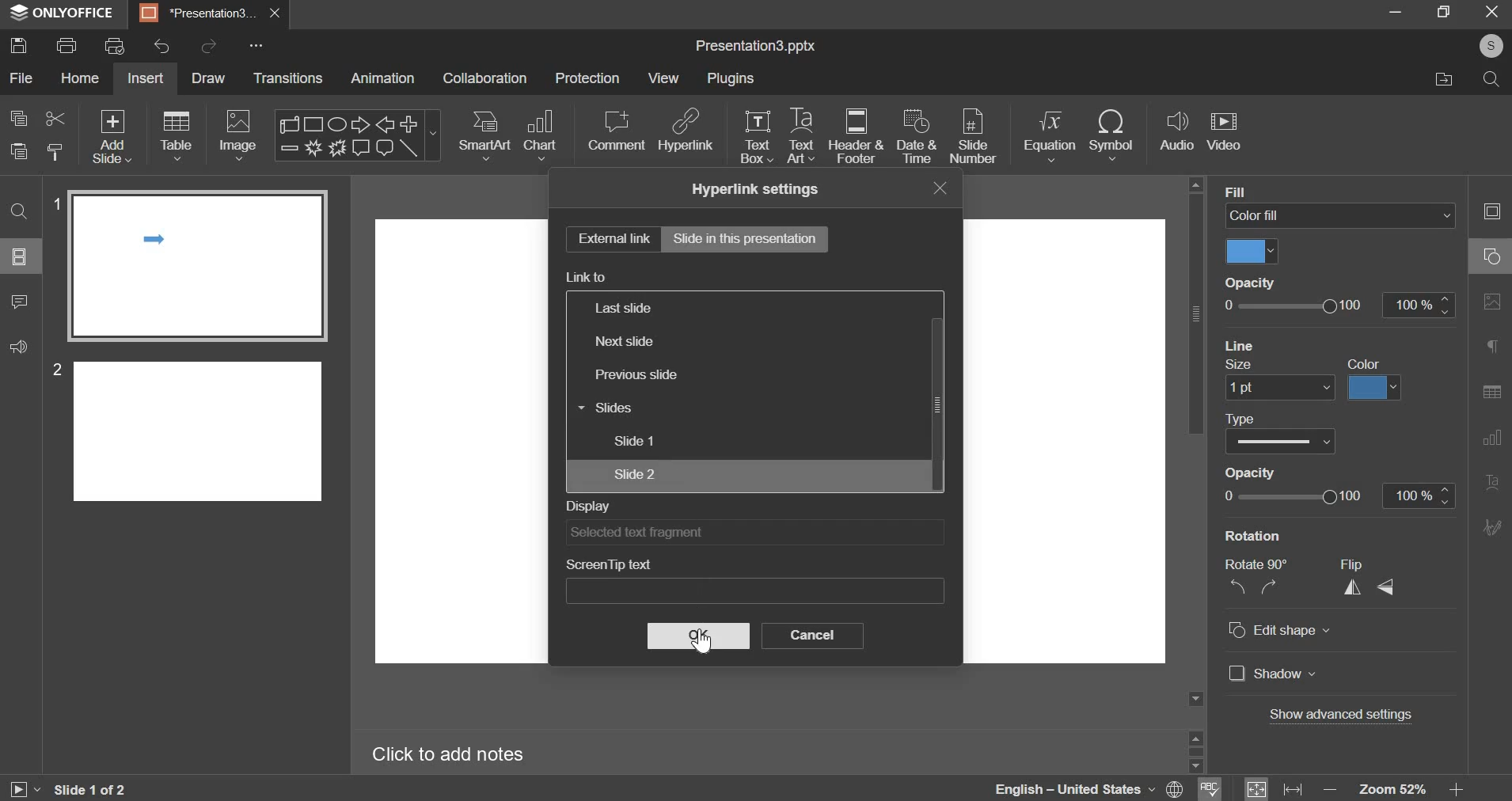  I want to click on slider from 0 to 100, so click(1295, 306).